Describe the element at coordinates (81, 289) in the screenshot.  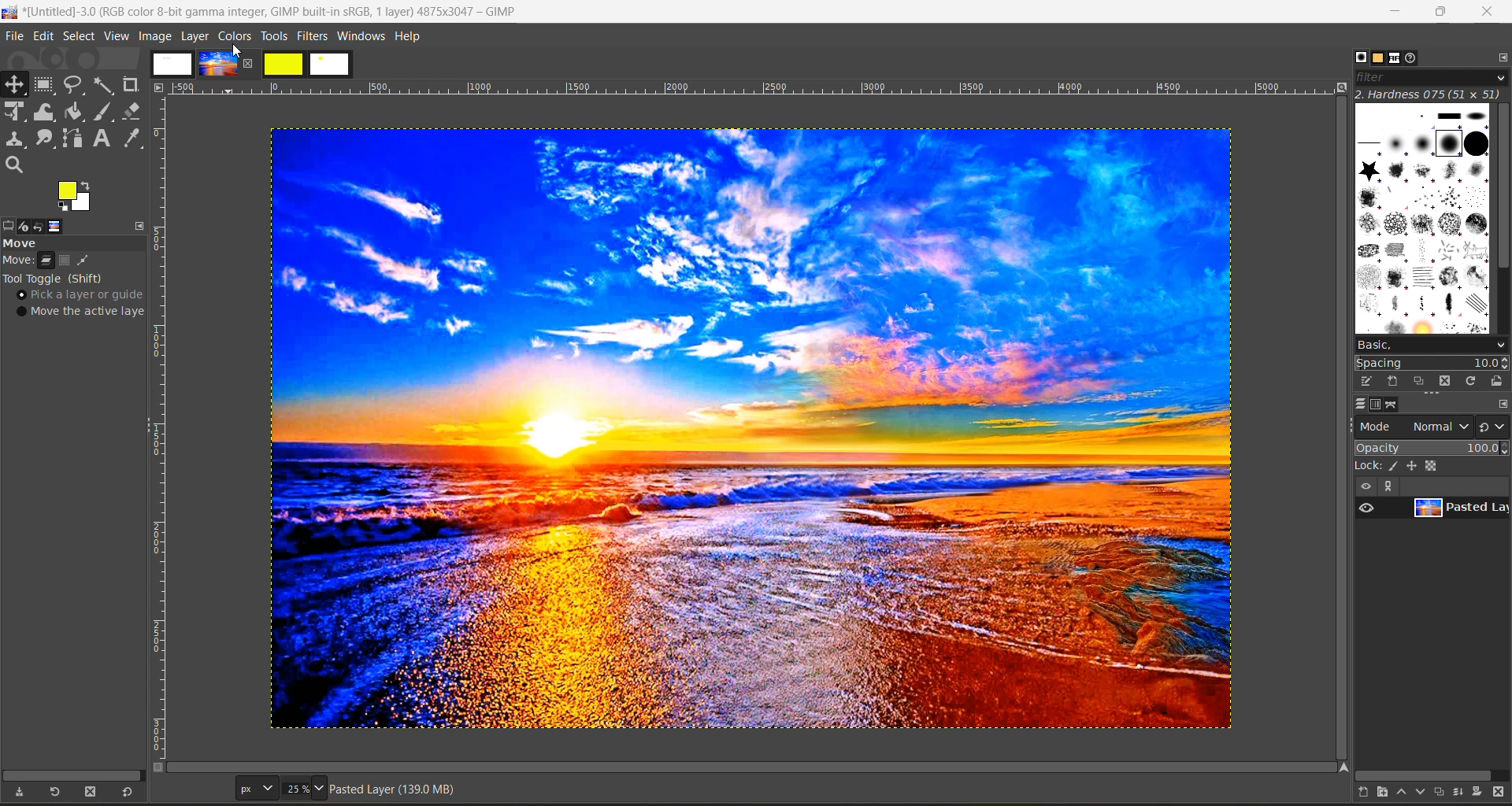
I see `metadata` at that location.